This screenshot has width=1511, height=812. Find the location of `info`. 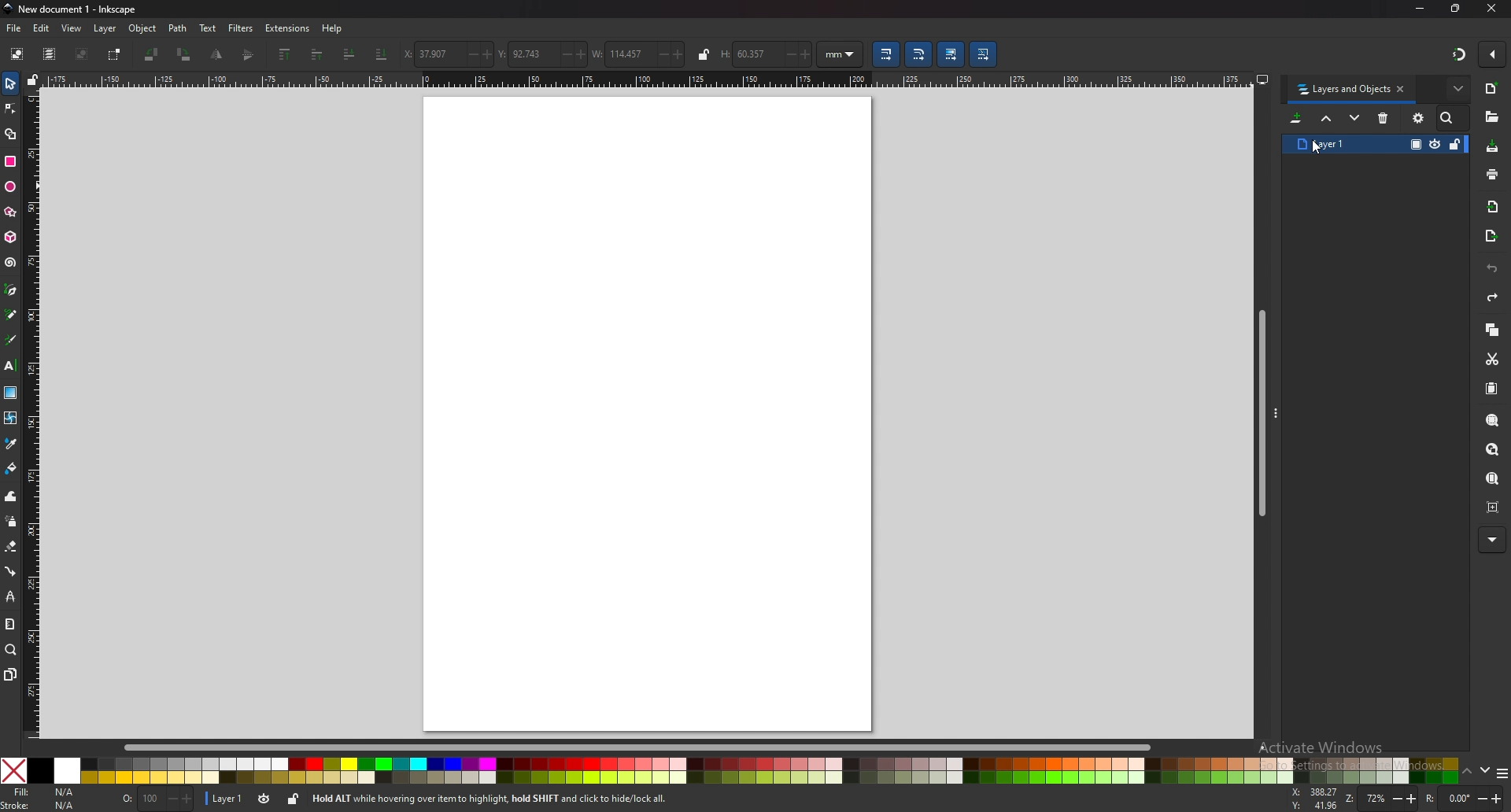

info is located at coordinates (534, 798).